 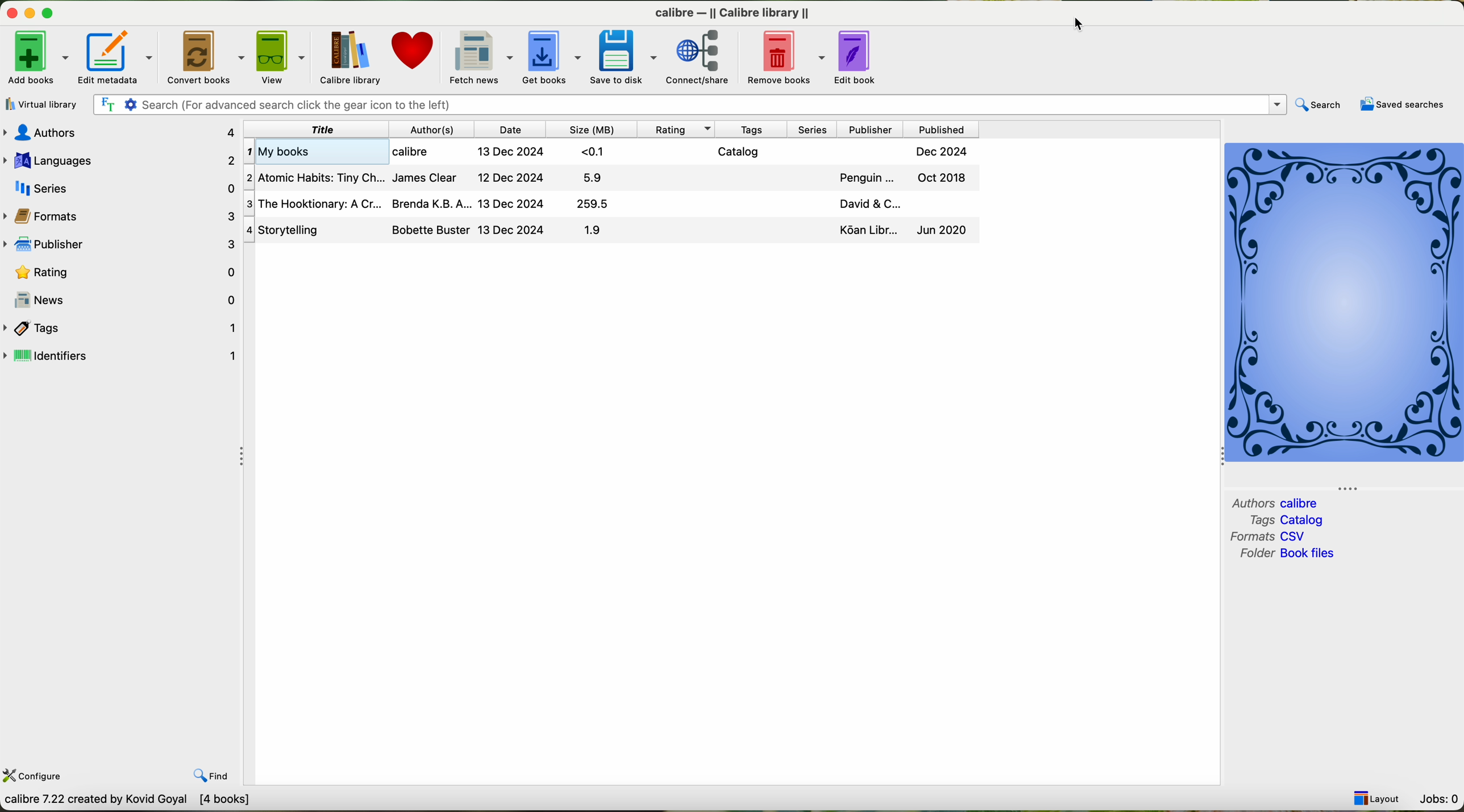 What do you see at coordinates (1303, 503) in the screenshot?
I see `Calibre` at bounding box center [1303, 503].